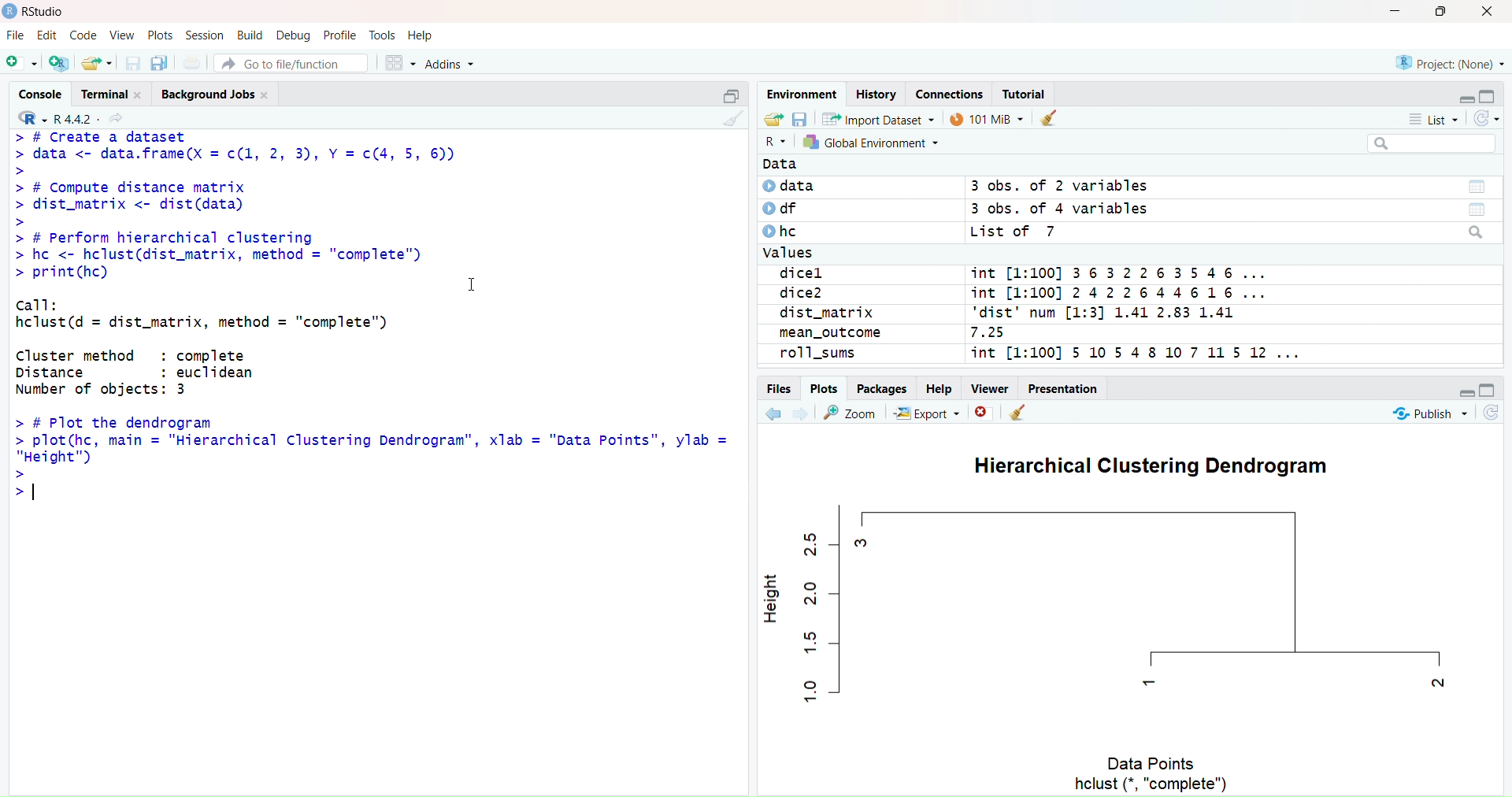  I want to click on Code, so click(84, 36).